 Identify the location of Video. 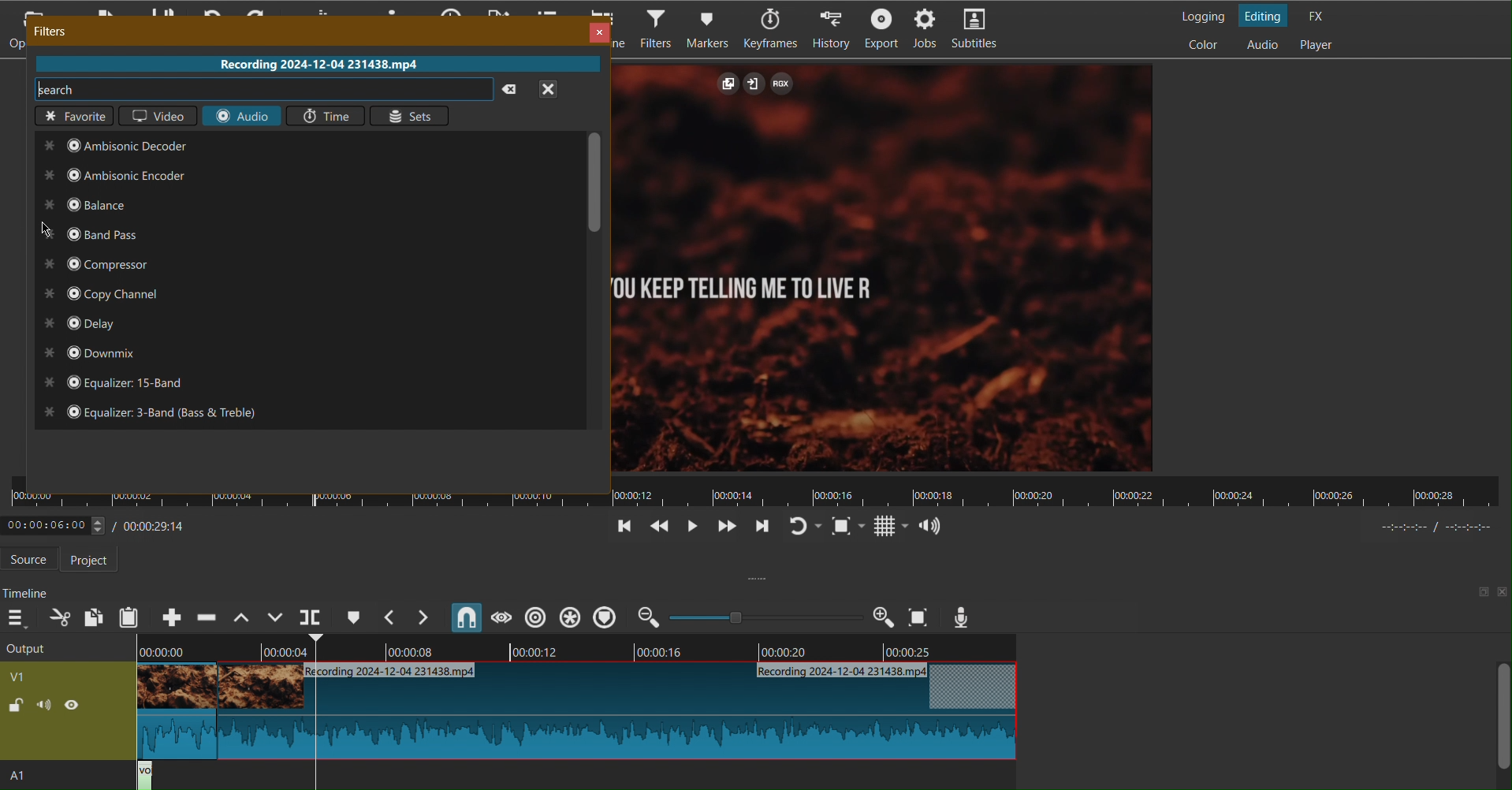
(155, 115).